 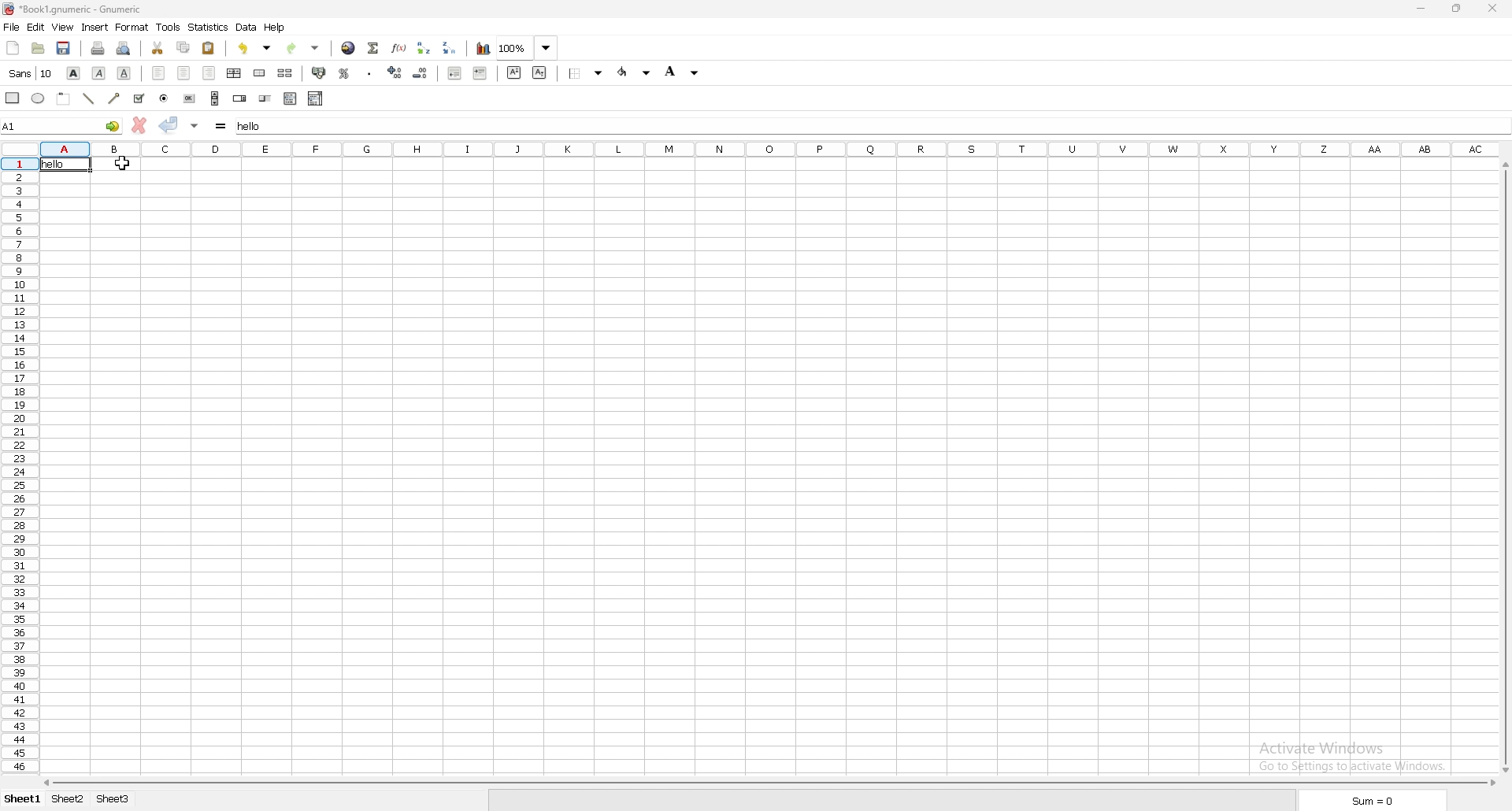 I want to click on arrow object, so click(x=114, y=98).